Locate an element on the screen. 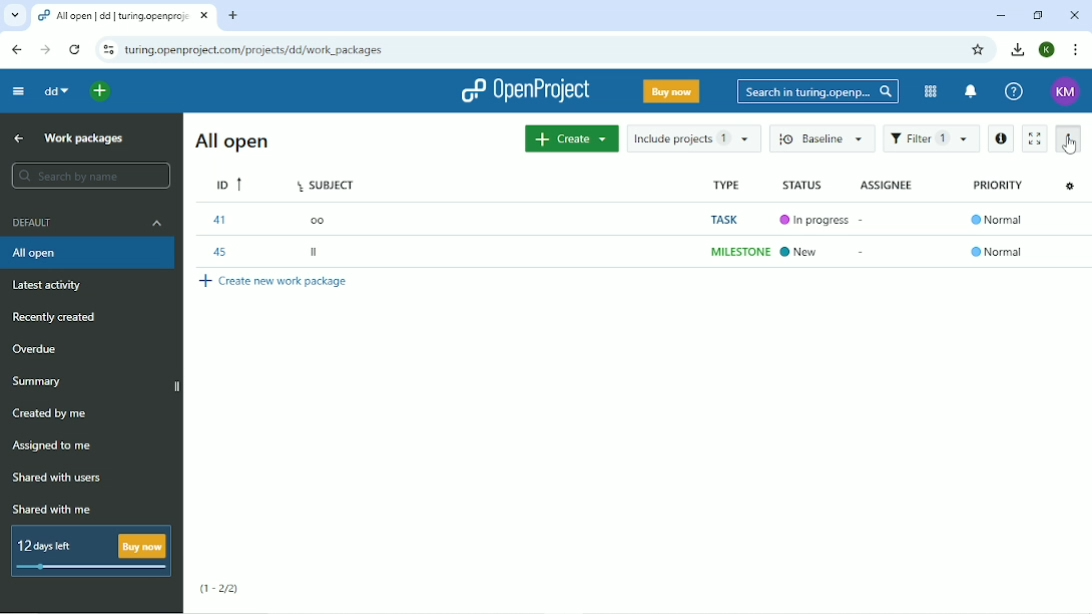 This screenshot has height=614, width=1092. Search is located at coordinates (816, 91).